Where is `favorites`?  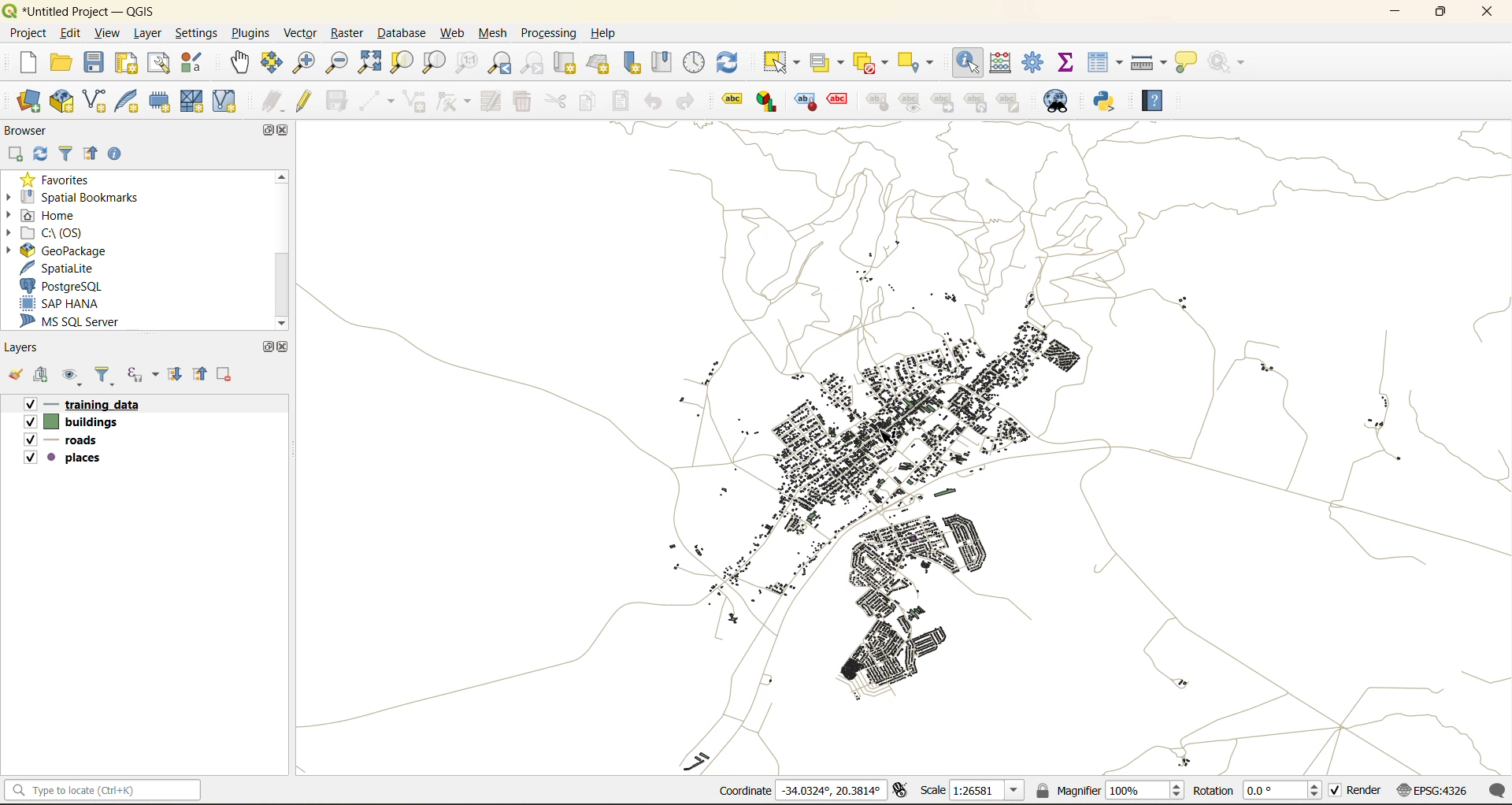 favorites is located at coordinates (59, 178).